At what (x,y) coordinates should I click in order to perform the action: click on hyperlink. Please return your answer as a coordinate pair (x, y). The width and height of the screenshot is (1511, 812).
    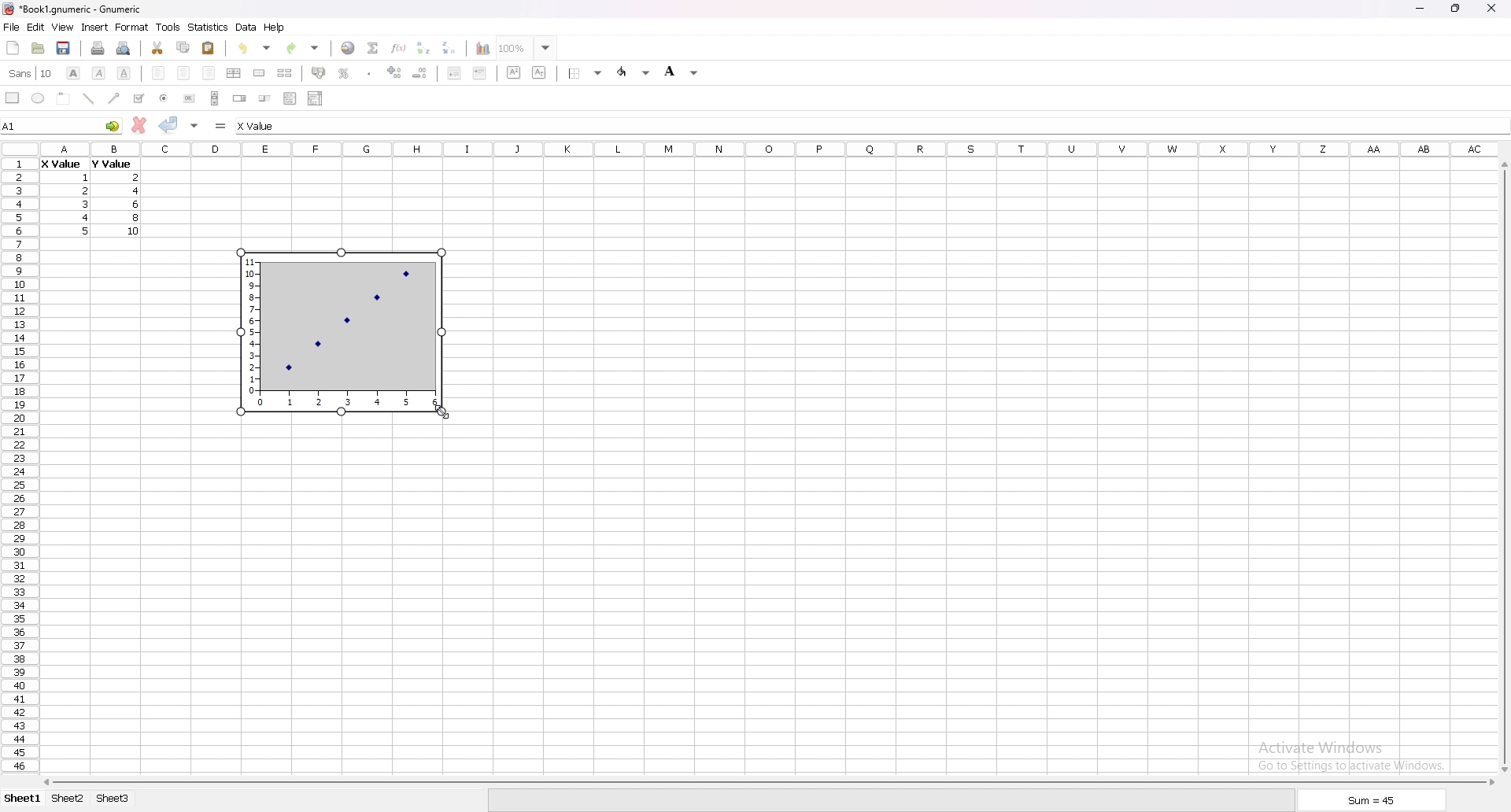
    Looking at the image, I should click on (348, 48).